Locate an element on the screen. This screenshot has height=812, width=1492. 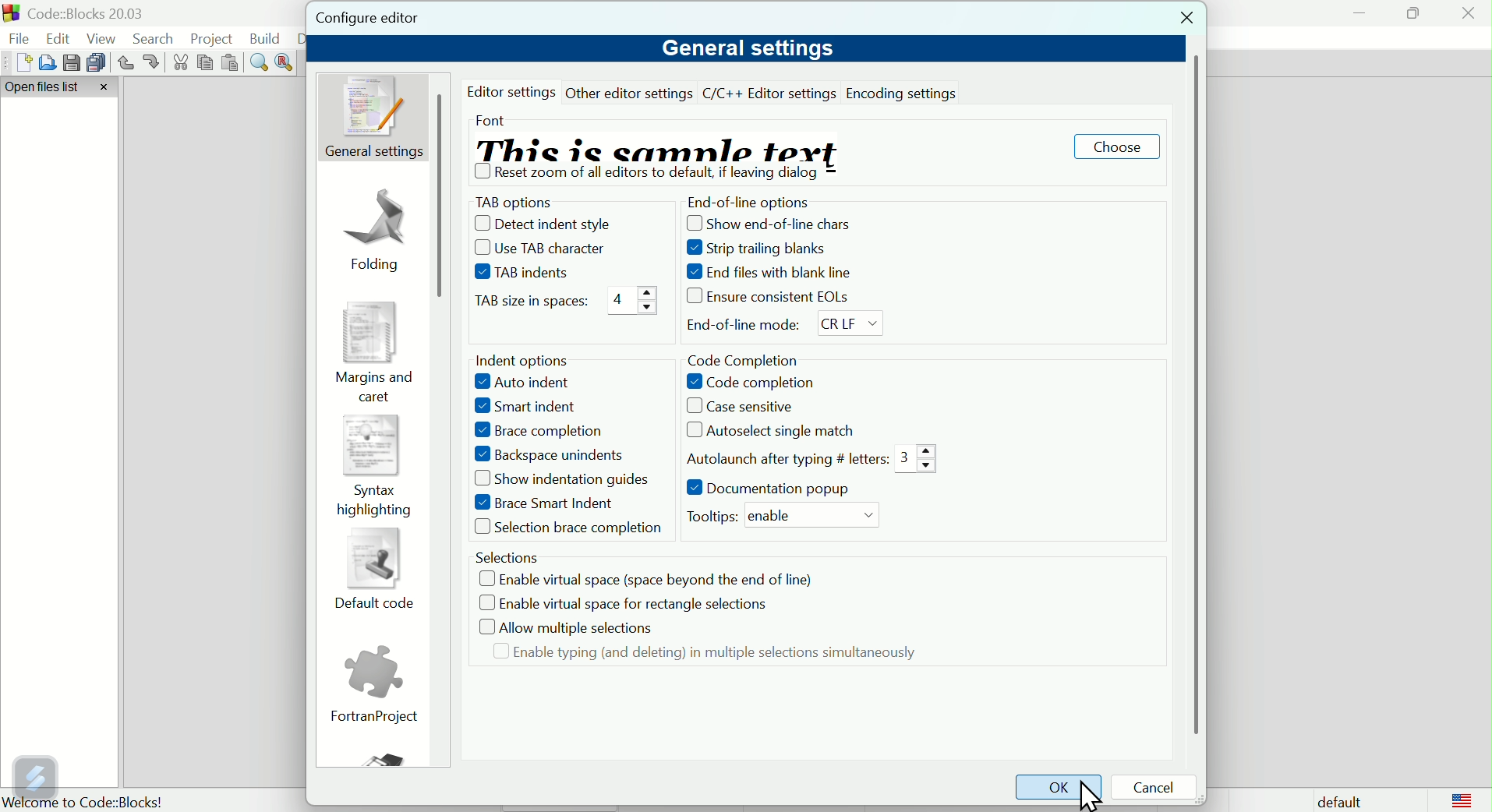
Edit is located at coordinates (60, 37).